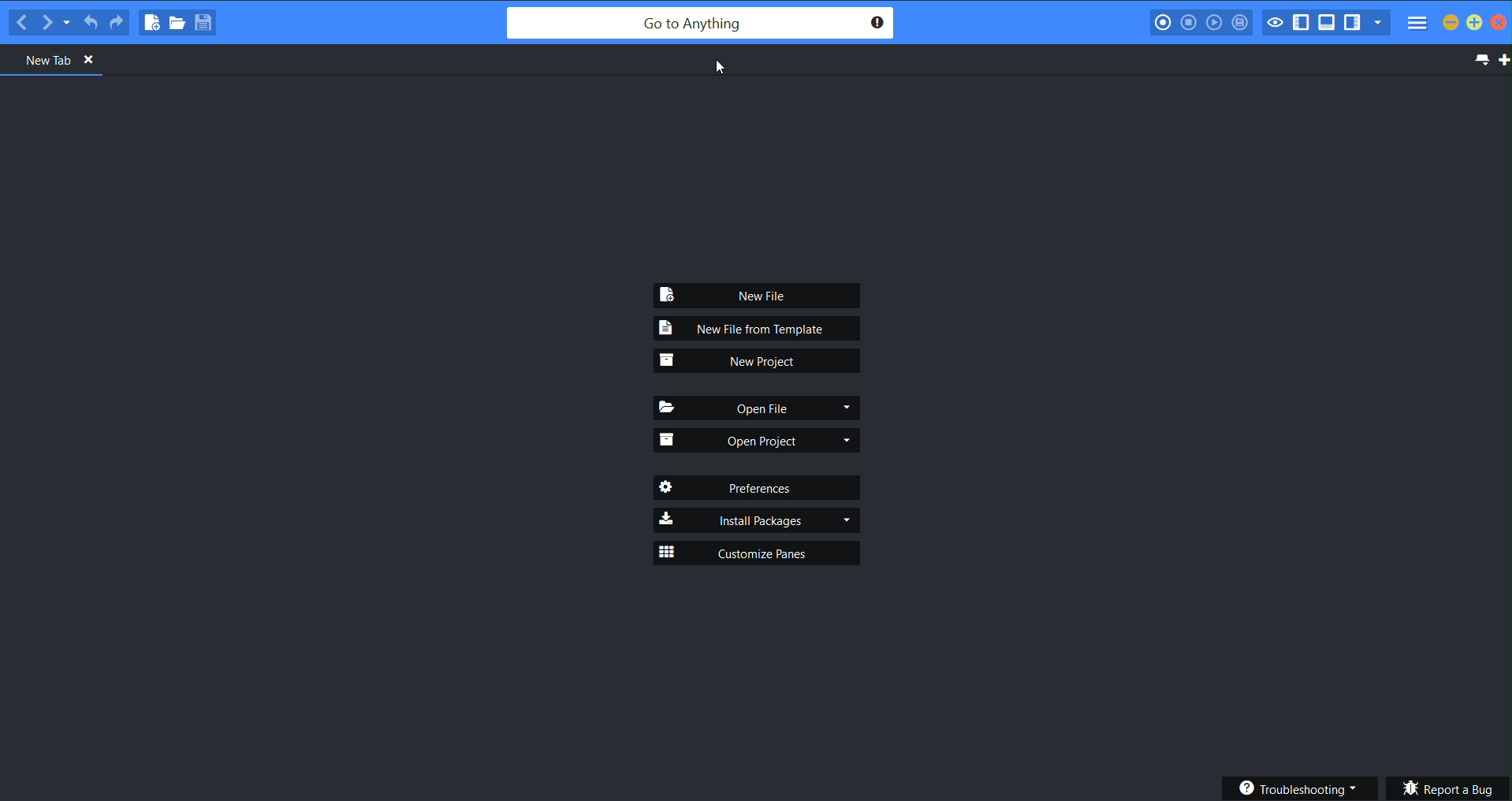 The height and width of the screenshot is (801, 1512). I want to click on open project, so click(758, 440).